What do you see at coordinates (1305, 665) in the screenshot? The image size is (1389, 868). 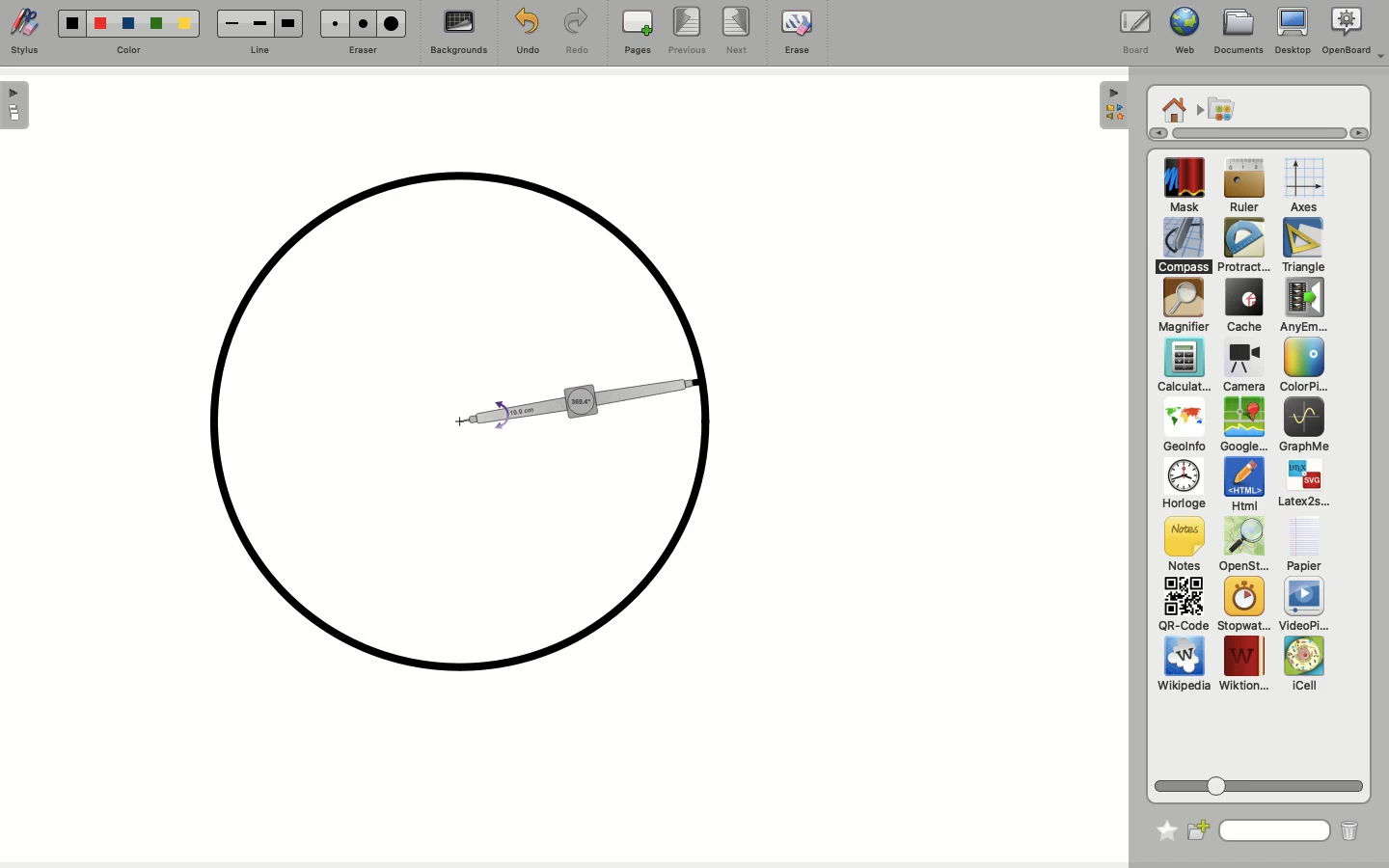 I see `iCell` at bounding box center [1305, 665].